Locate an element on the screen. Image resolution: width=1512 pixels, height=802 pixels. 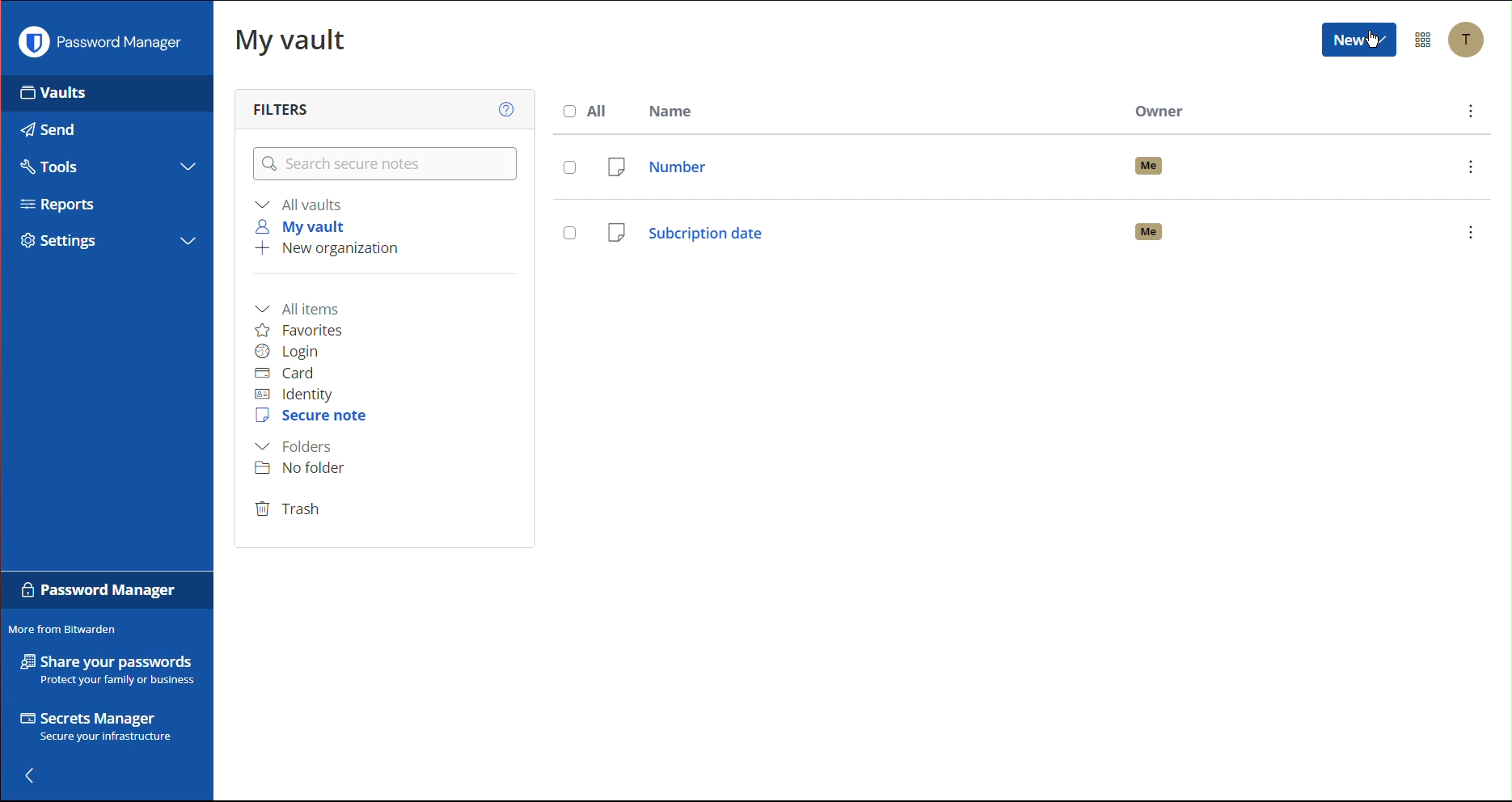
expand/collapse is located at coordinates (188, 167).